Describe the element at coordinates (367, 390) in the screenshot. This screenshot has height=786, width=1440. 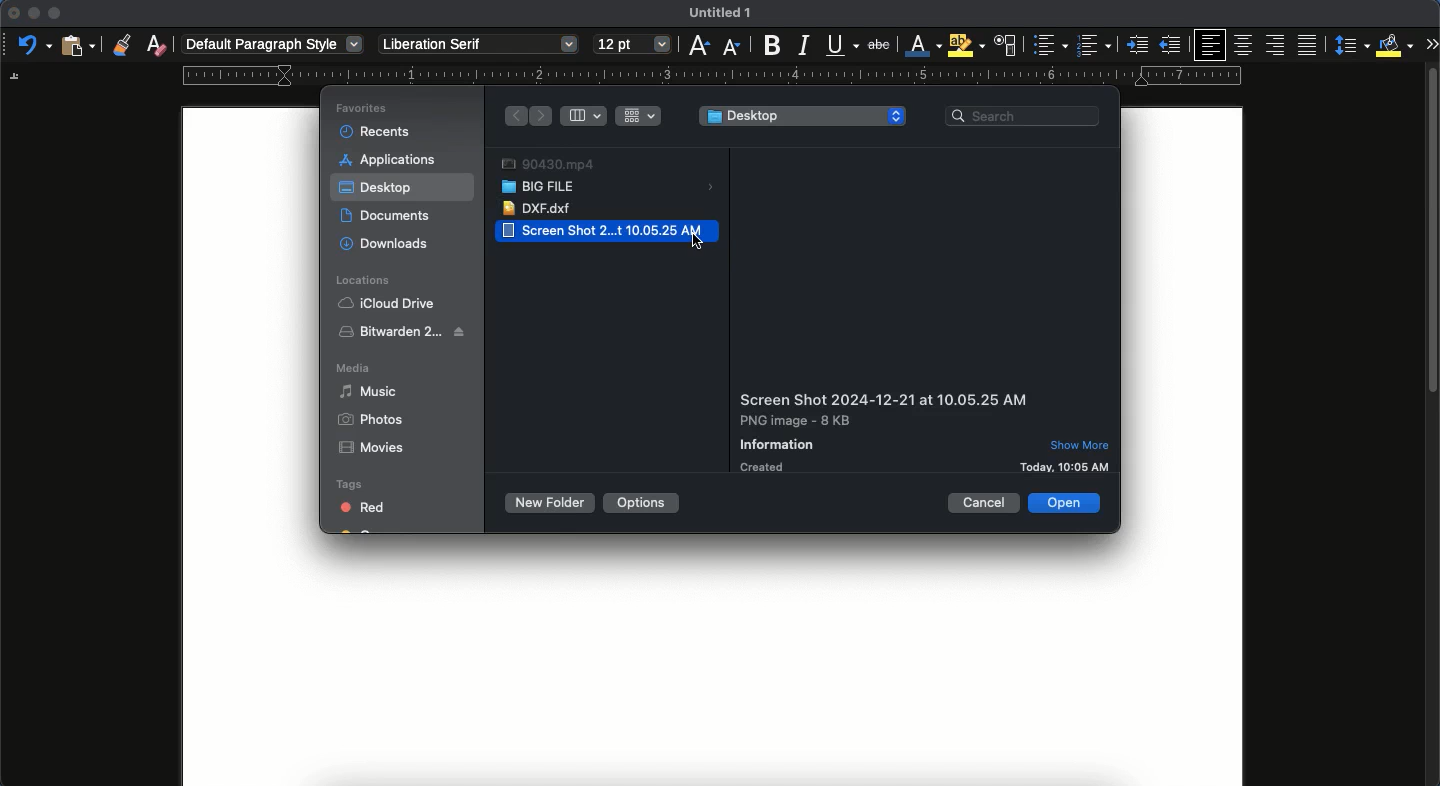
I see `music` at that location.